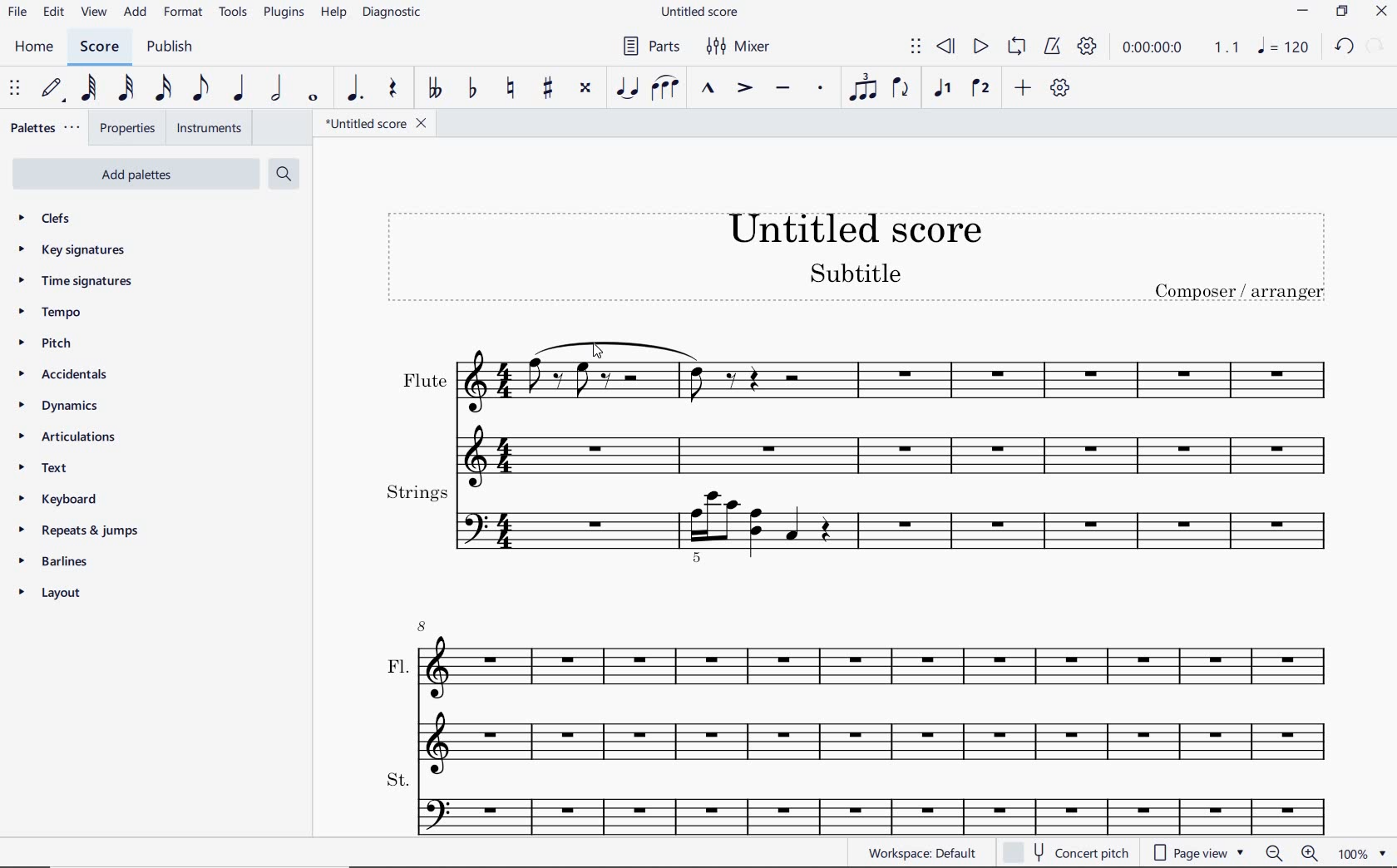  What do you see at coordinates (856, 259) in the screenshot?
I see `title` at bounding box center [856, 259].